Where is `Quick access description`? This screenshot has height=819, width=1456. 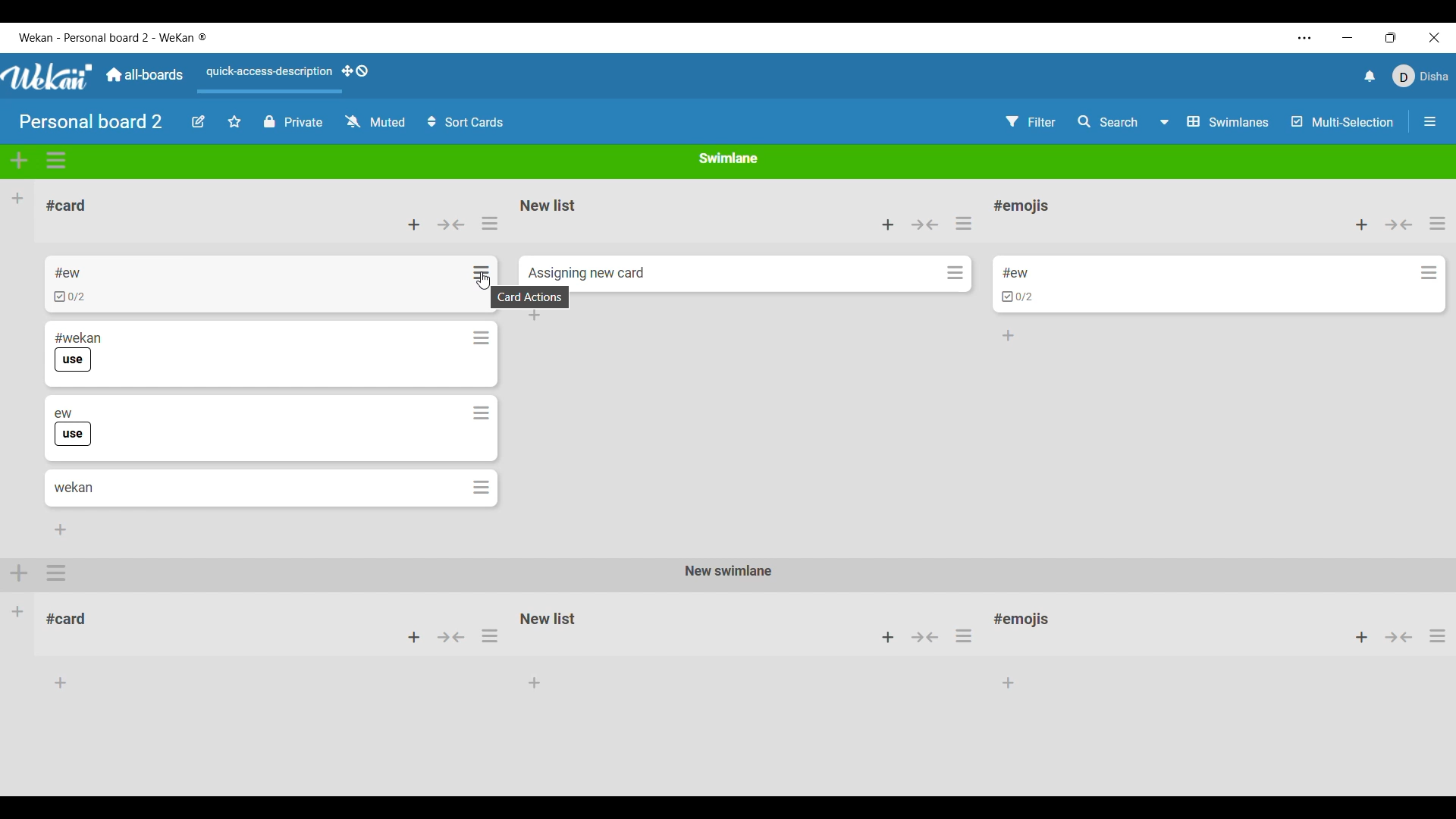
Quick access description is located at coordinates (265, 78).